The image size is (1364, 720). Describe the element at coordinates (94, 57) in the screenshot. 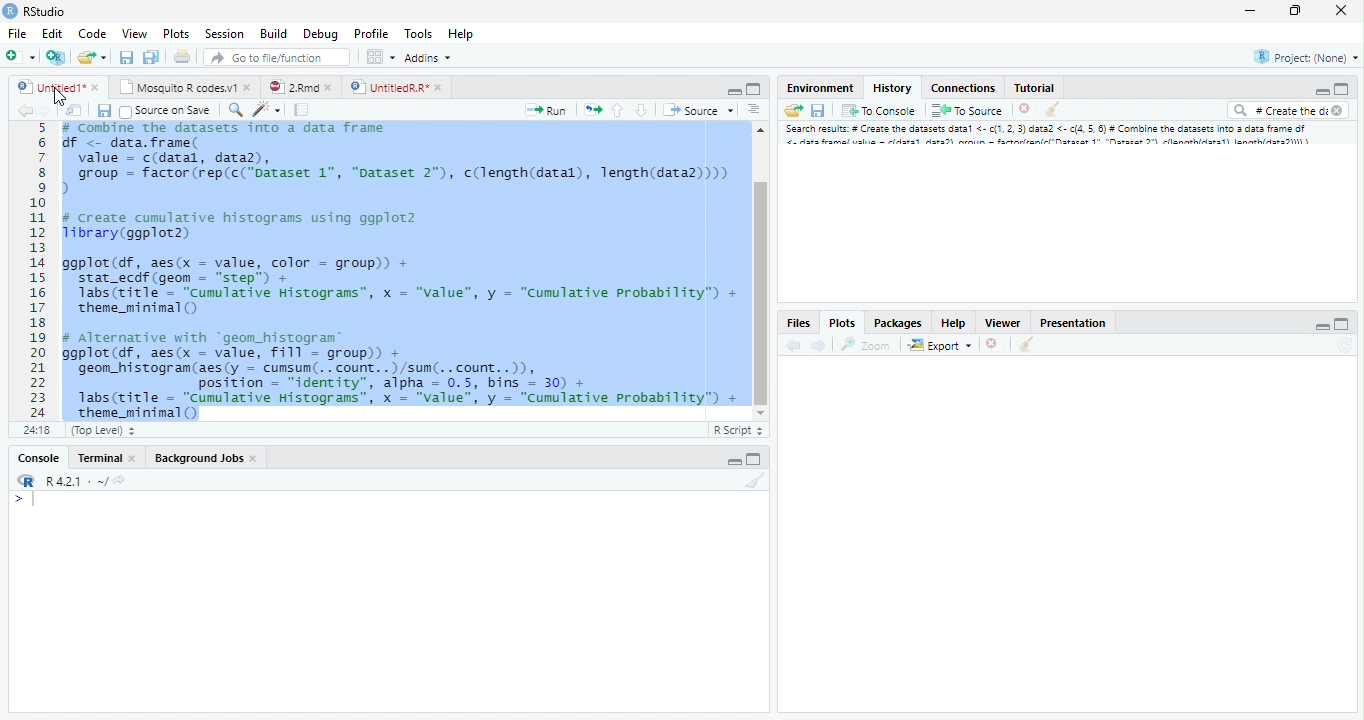

I see `Create a new file` at that location.